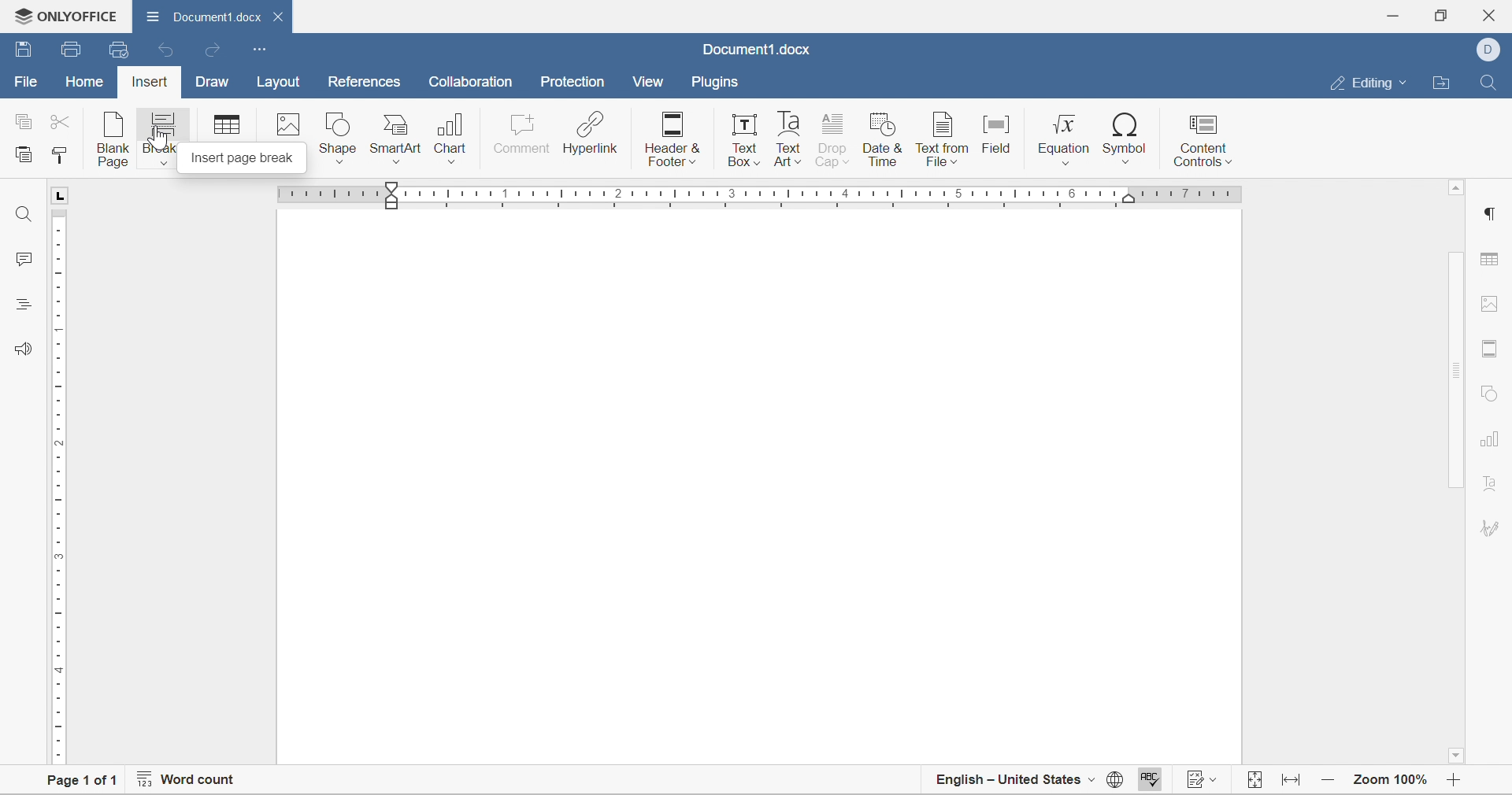 This screenshot has width=1512, height=795. I want to click on Cut, so click(64, 120).